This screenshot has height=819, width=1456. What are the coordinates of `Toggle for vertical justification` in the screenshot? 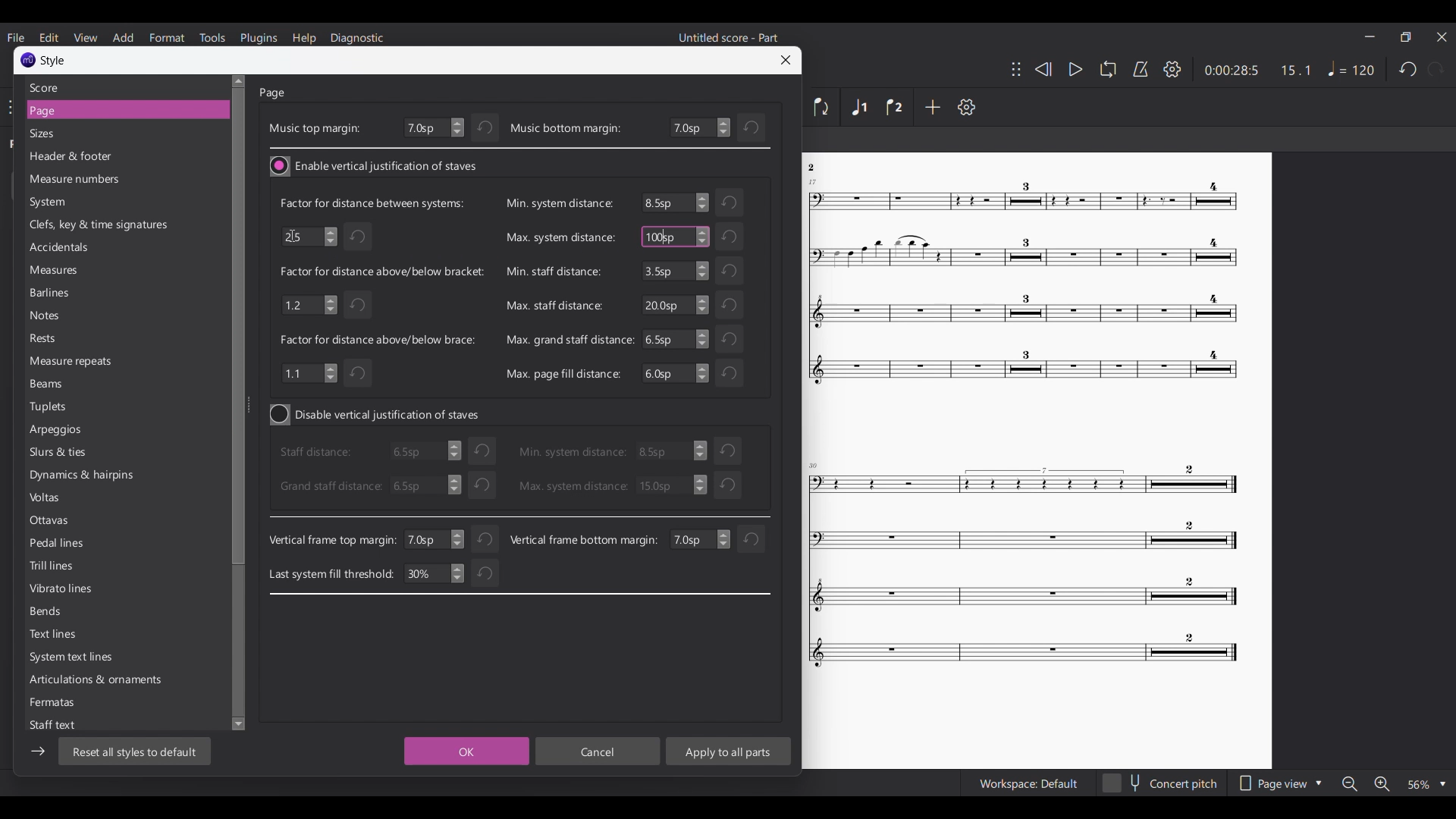 It's located at (377, 415).